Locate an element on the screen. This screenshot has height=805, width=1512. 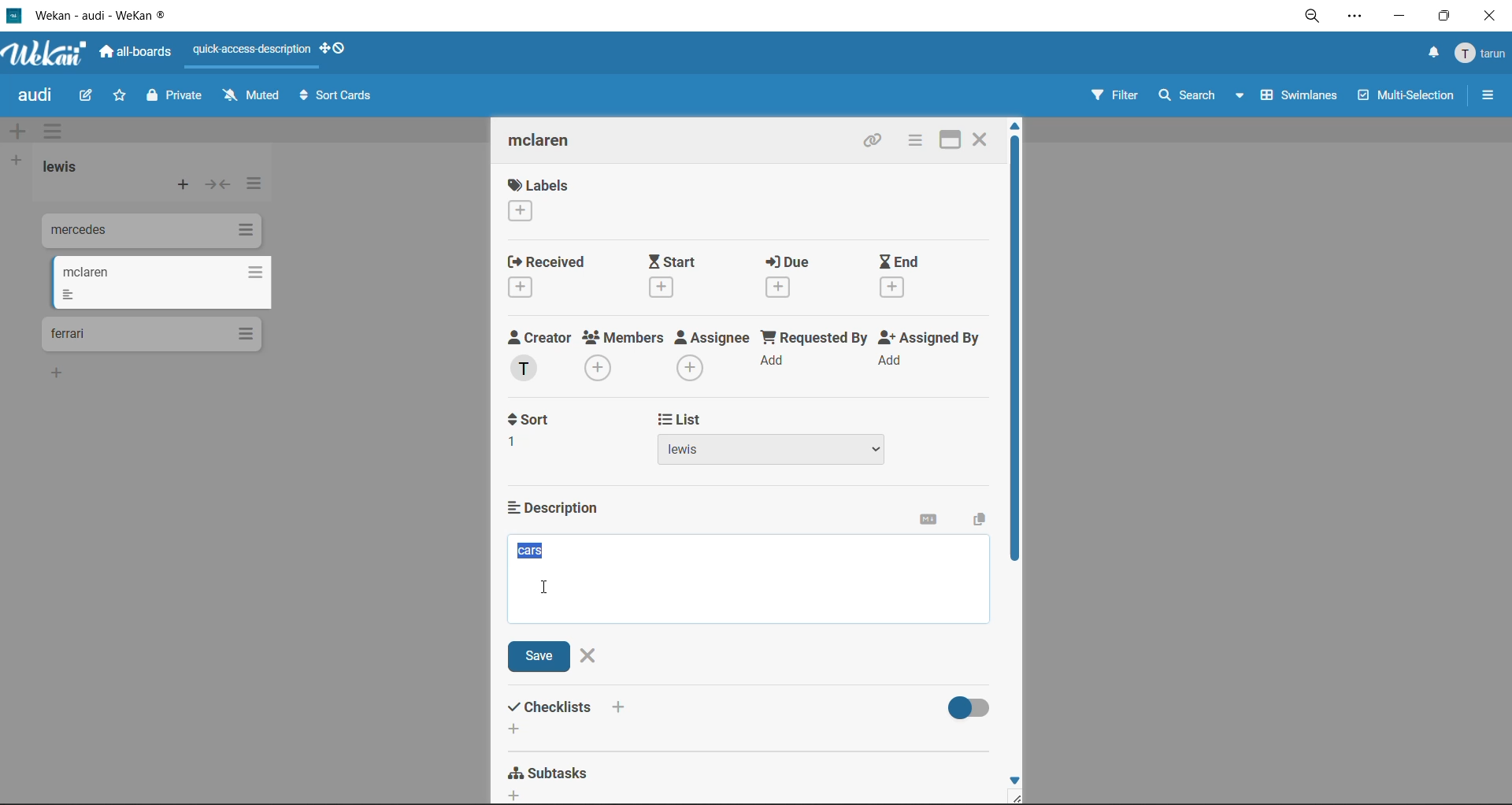
text cursor is located at coordinates (547, 589).